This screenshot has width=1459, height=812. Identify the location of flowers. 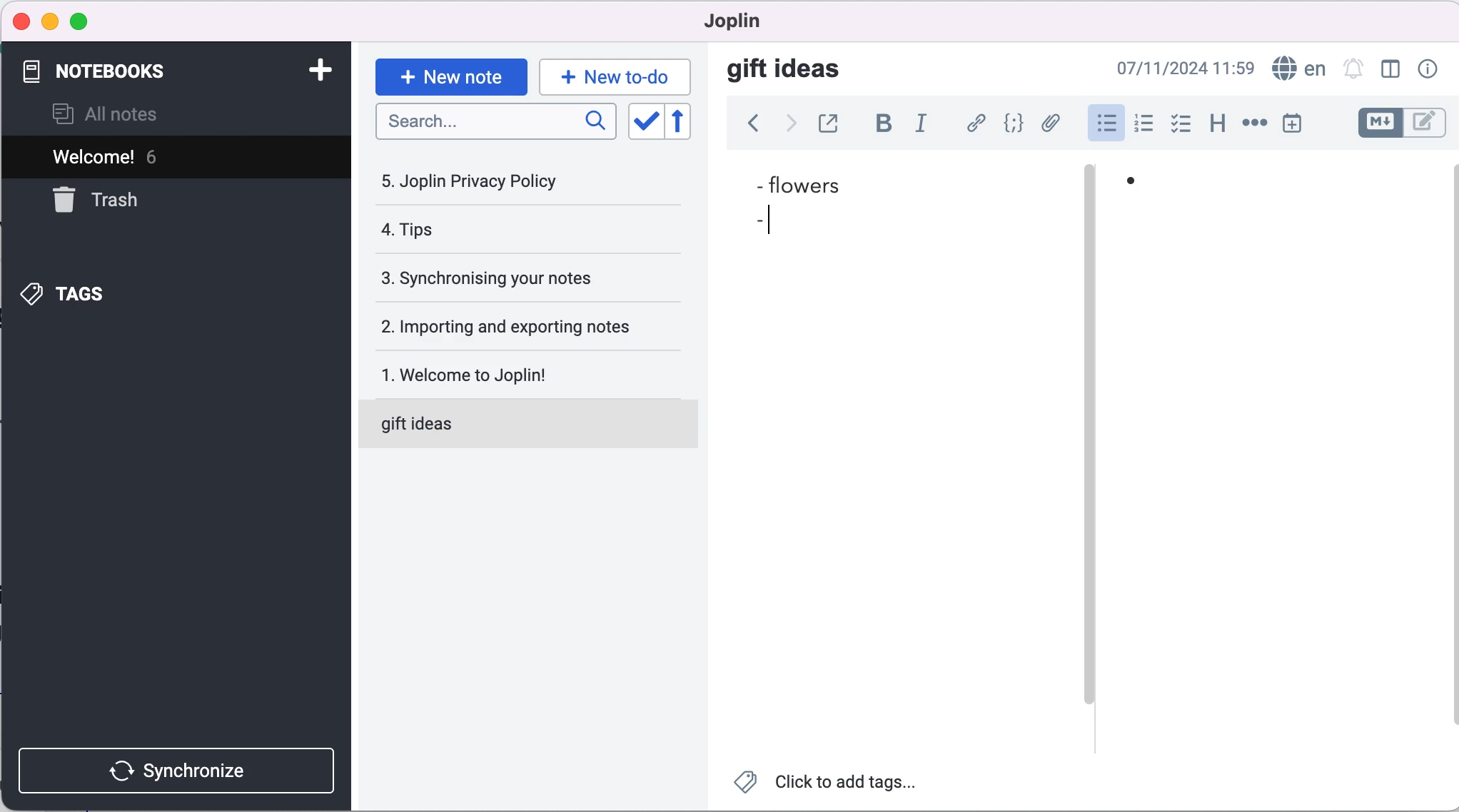
(818, 186).